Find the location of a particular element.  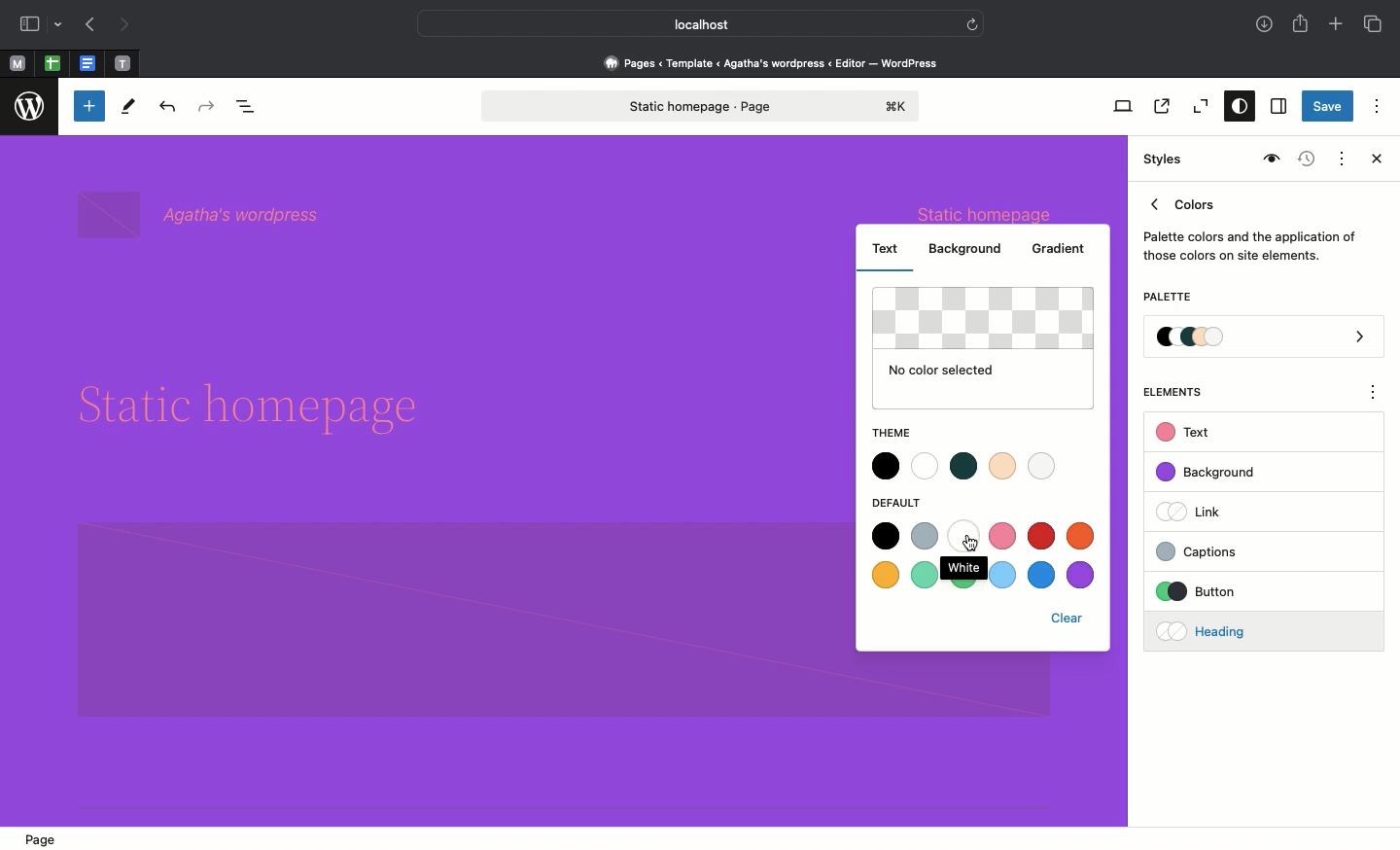

Share is located at coordinates (1302, 23).